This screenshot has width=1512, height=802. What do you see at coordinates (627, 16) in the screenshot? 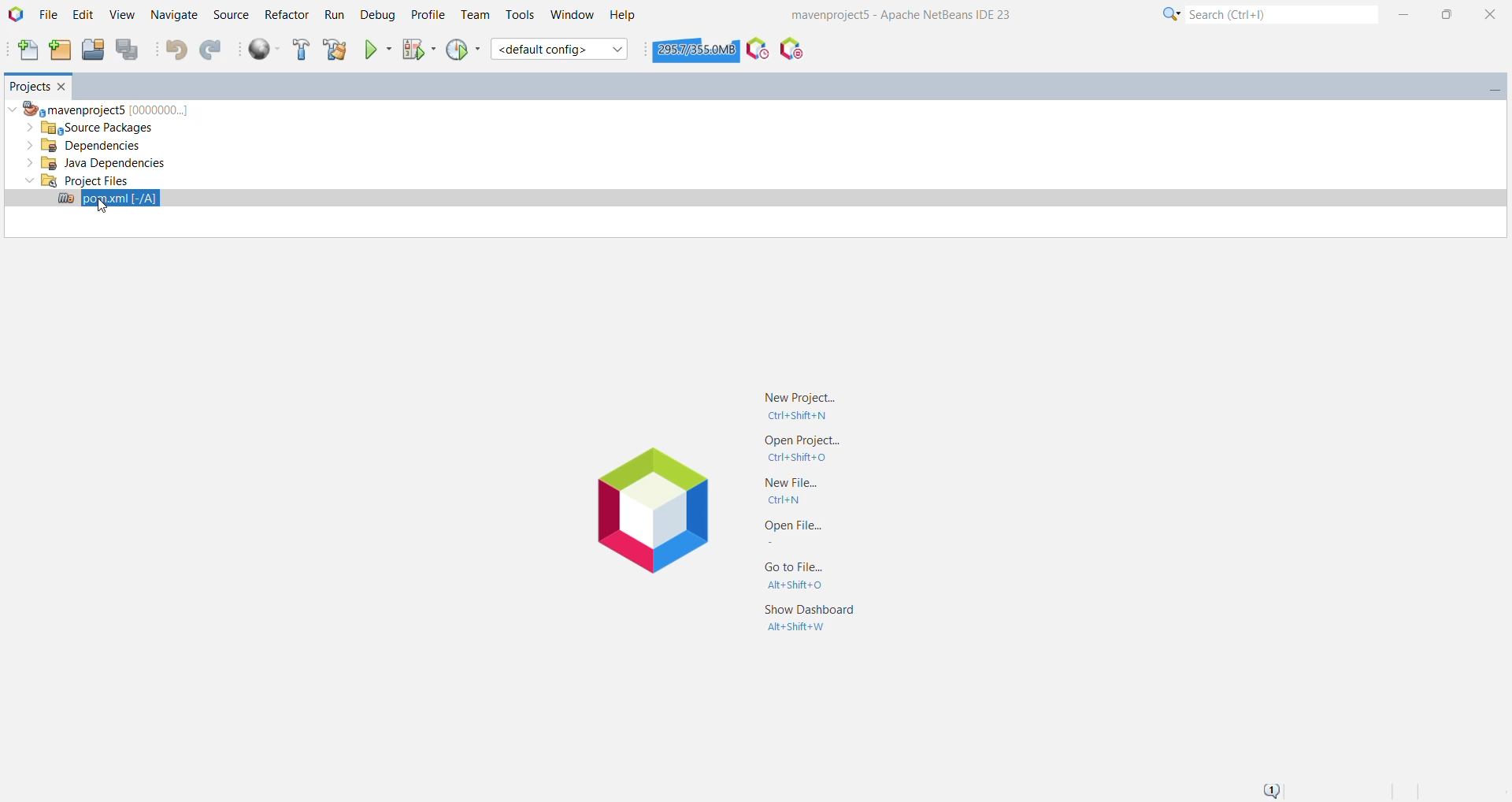
I see `Help` at bounding box center [627, 16].